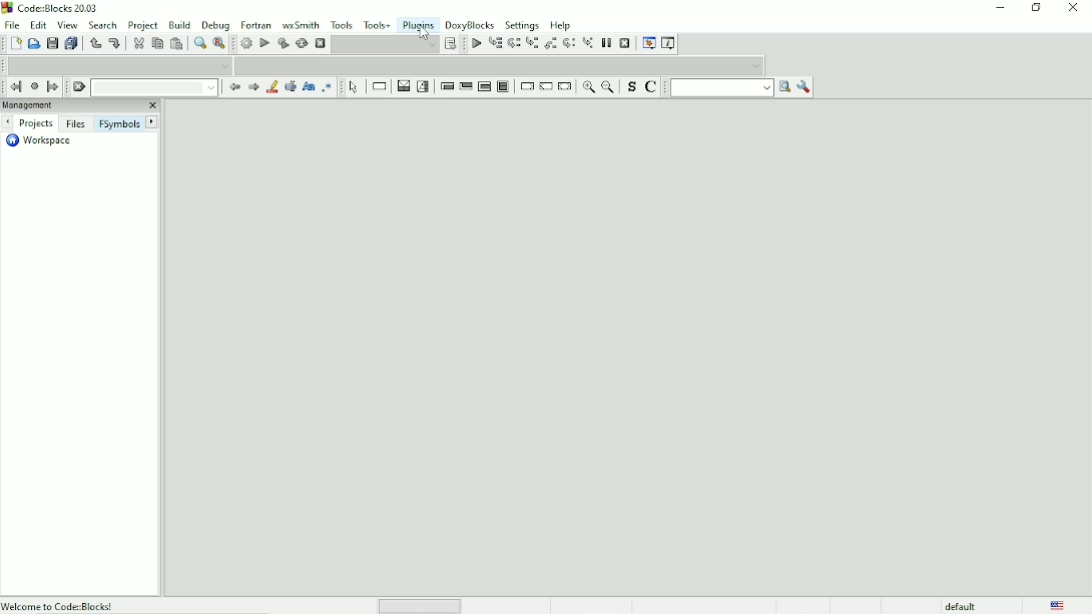 The width and height of the screenshot is (1092, 614). Describe the element at coordinates (301, 43) in the screenshot. I see `Rebuild` at that location.